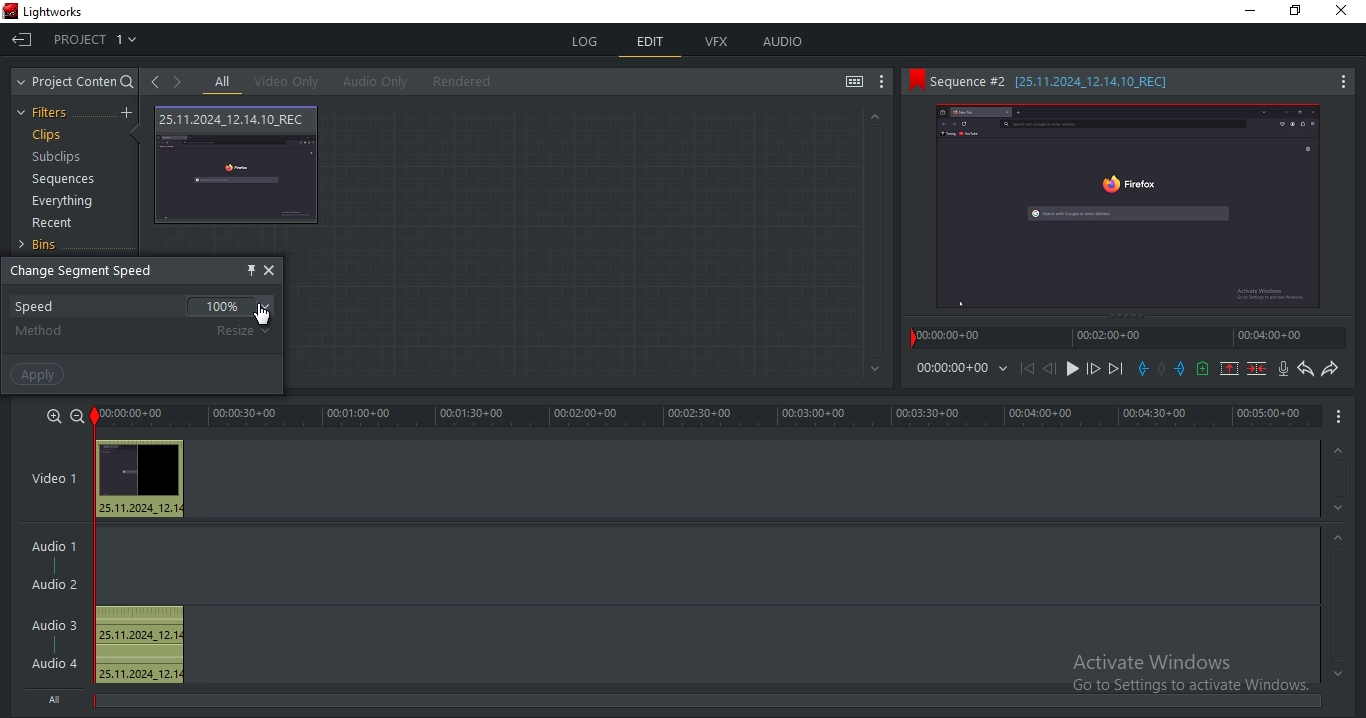 The image size is (1366, 718). What do you see at coordinates (45, 113) in the screenshot?
I see `filters` at bounding box center [45, 113].